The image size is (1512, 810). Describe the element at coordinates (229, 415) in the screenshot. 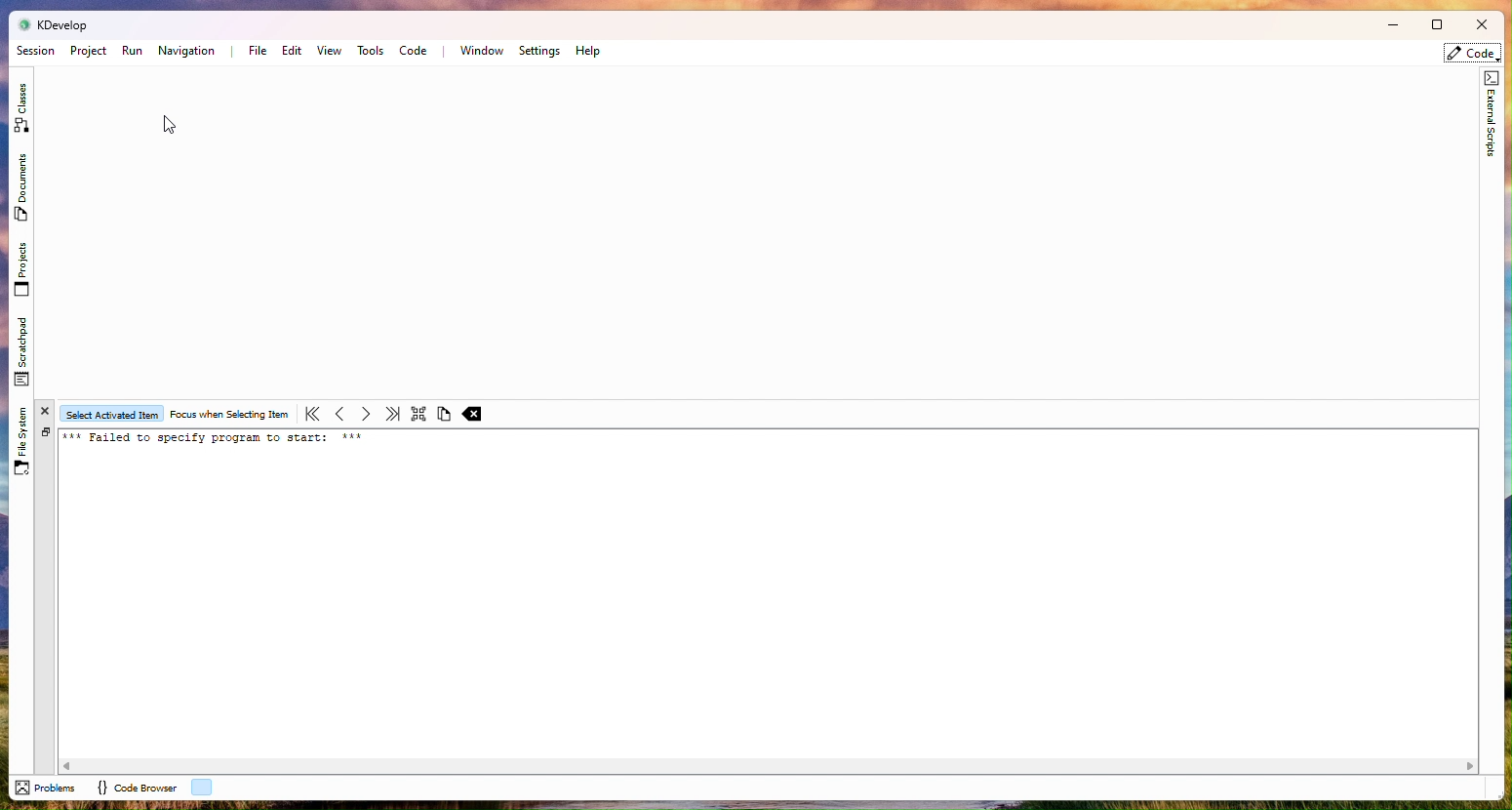

I see `Focus` at that location.